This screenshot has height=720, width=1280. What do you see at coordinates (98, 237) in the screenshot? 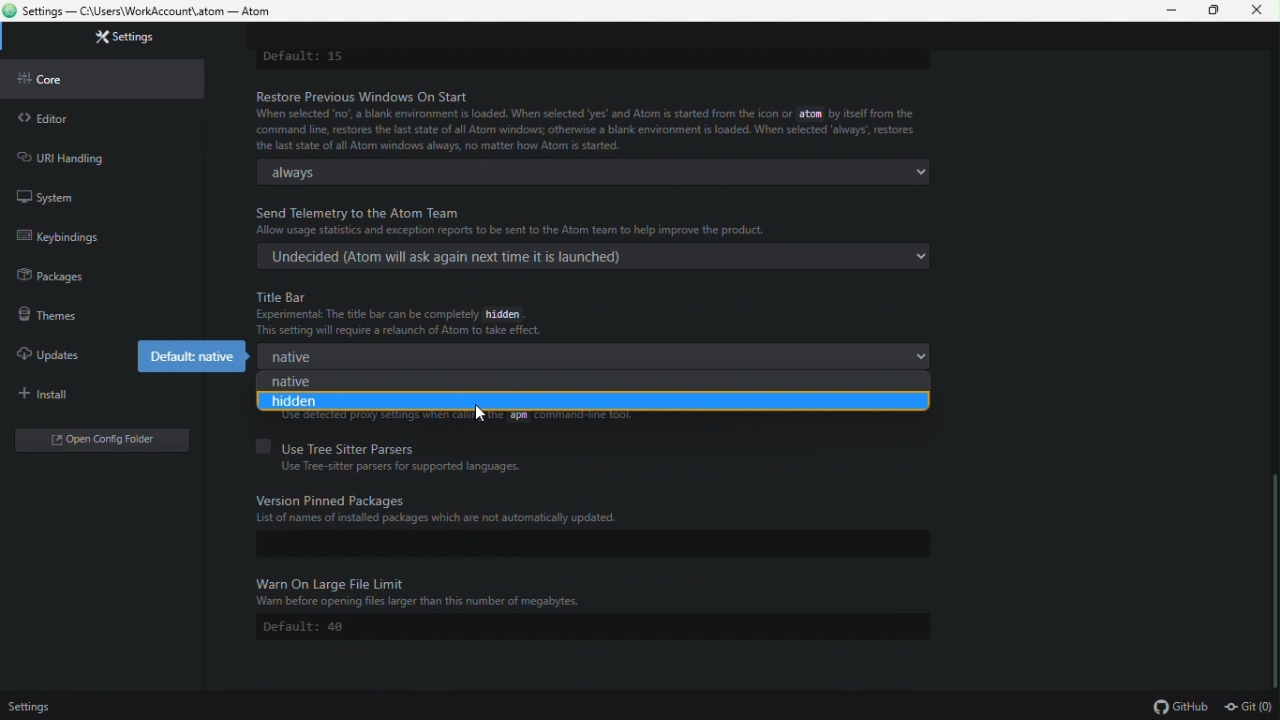
I see `keybindings` at bounding box center [98, 237].